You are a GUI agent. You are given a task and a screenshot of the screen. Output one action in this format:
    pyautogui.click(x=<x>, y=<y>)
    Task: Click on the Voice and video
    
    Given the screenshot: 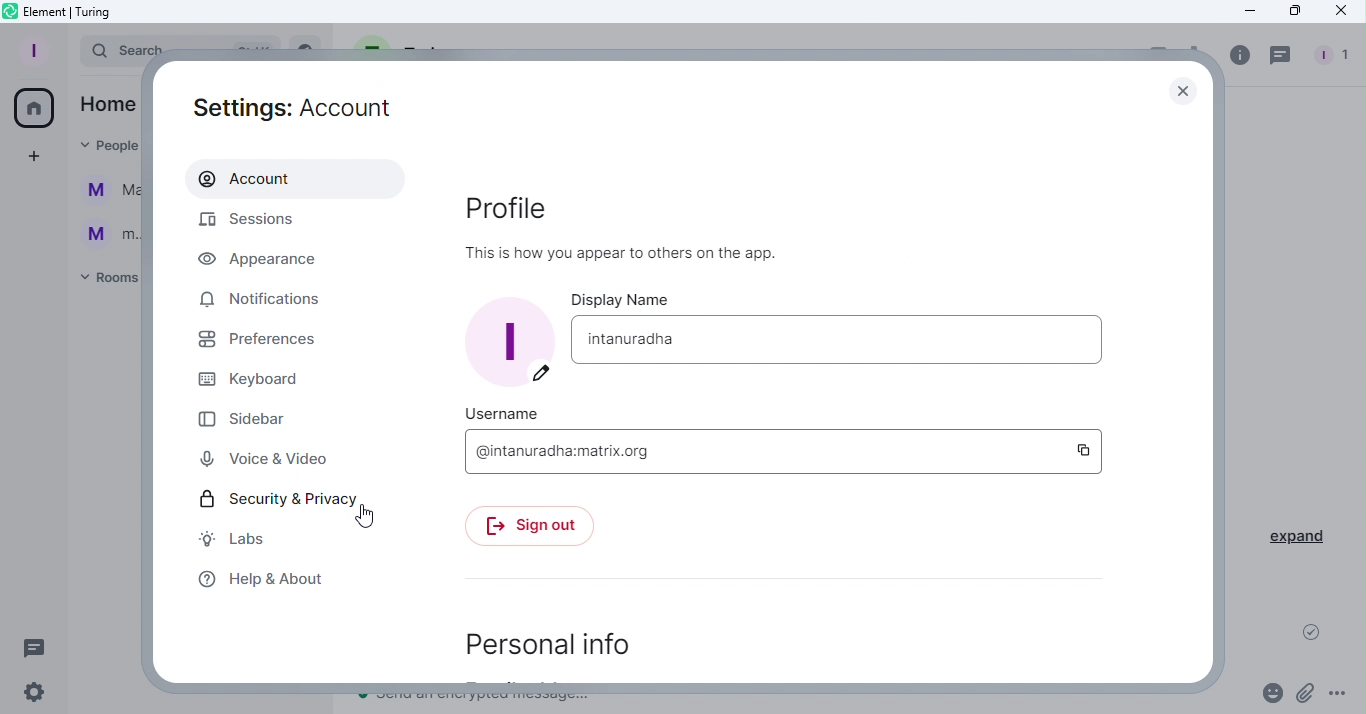 What is the action you would take?
    pyautogui.click(x=264, y=457)
    